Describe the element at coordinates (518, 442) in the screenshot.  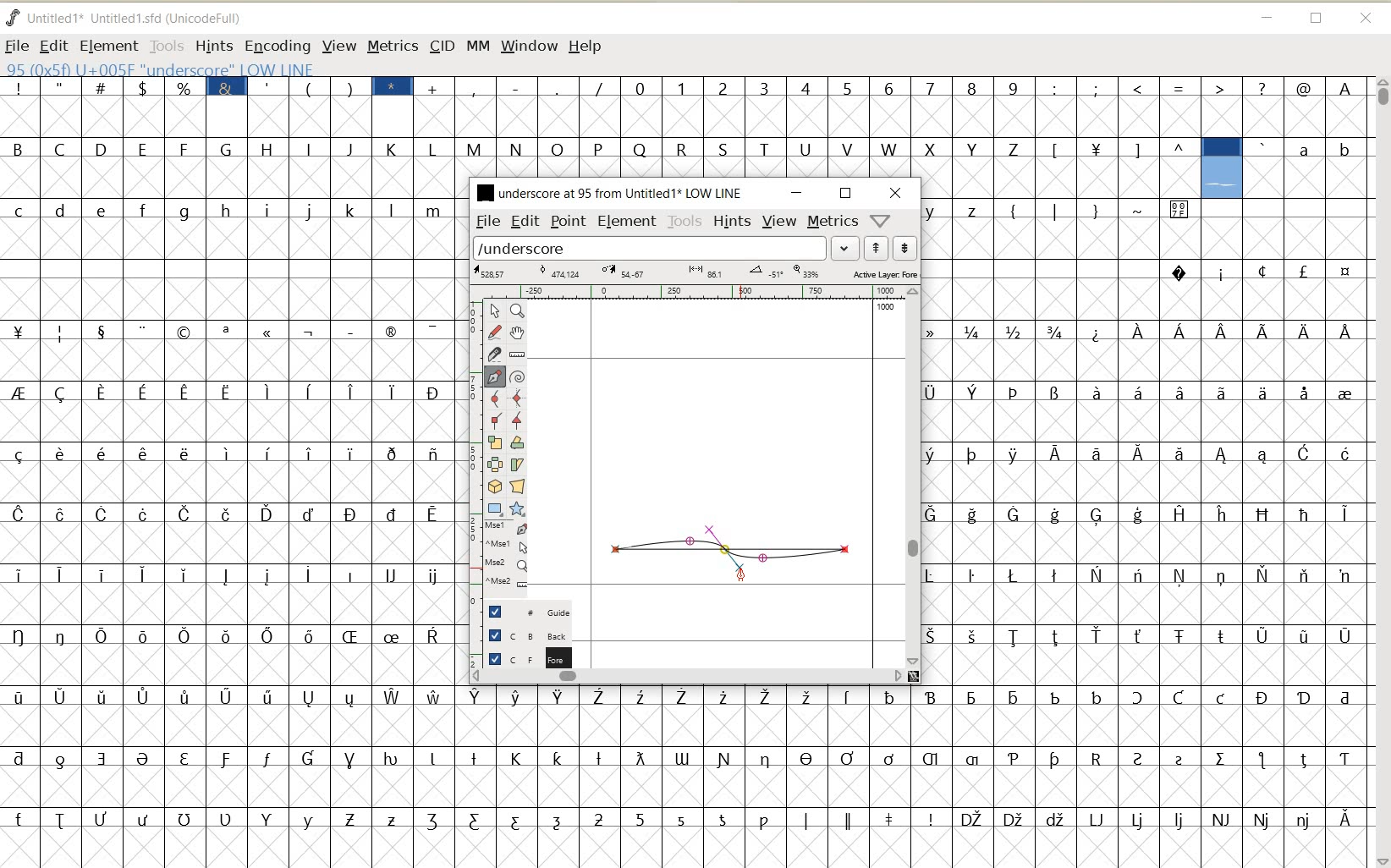
I see `Rotate the selection` at that location.